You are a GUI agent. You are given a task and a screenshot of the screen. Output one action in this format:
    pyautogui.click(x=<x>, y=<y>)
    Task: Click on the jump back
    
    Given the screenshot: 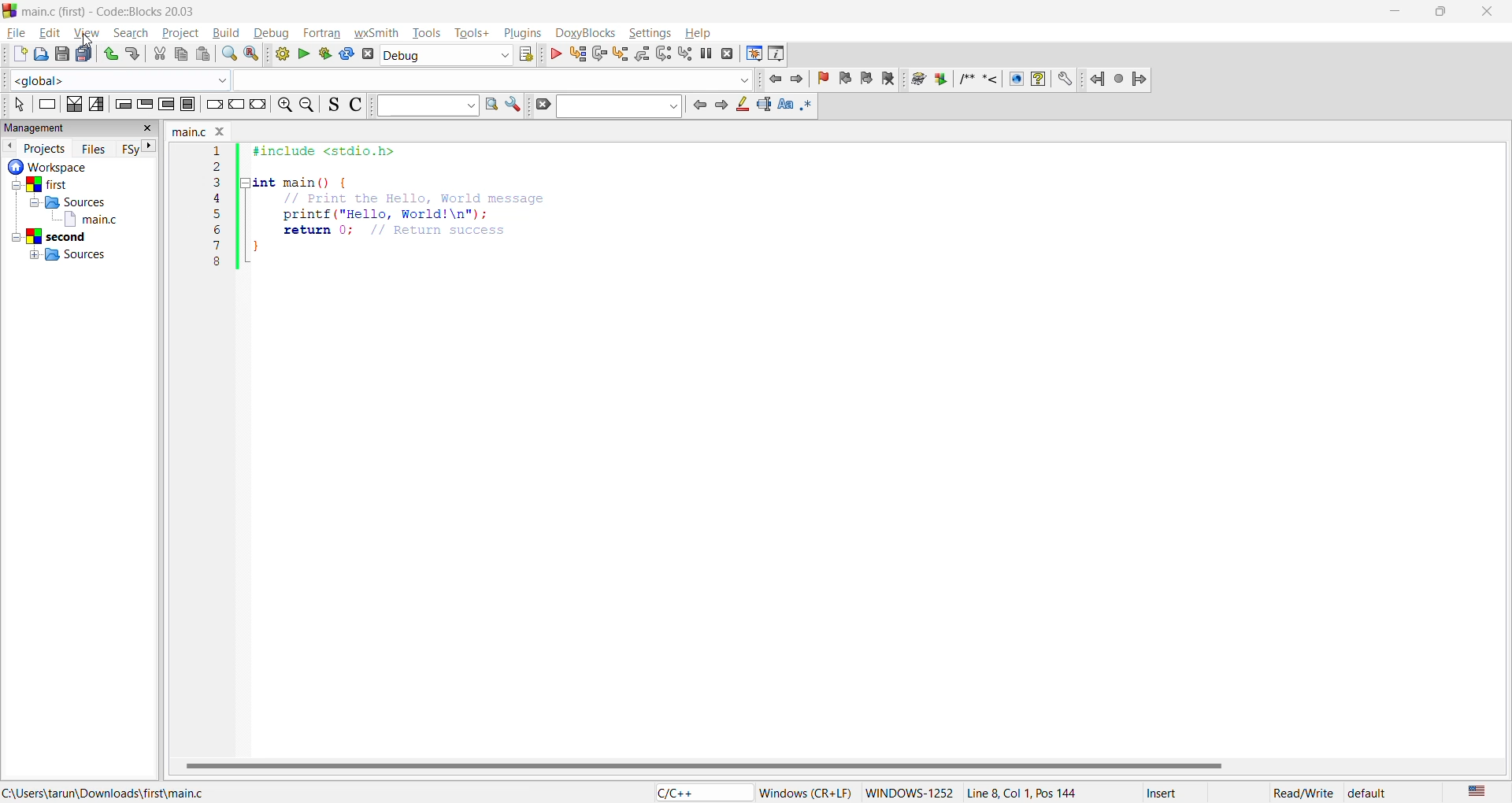 What is the action you would take?
    pyautogui.click(x=1098, y=77)
    